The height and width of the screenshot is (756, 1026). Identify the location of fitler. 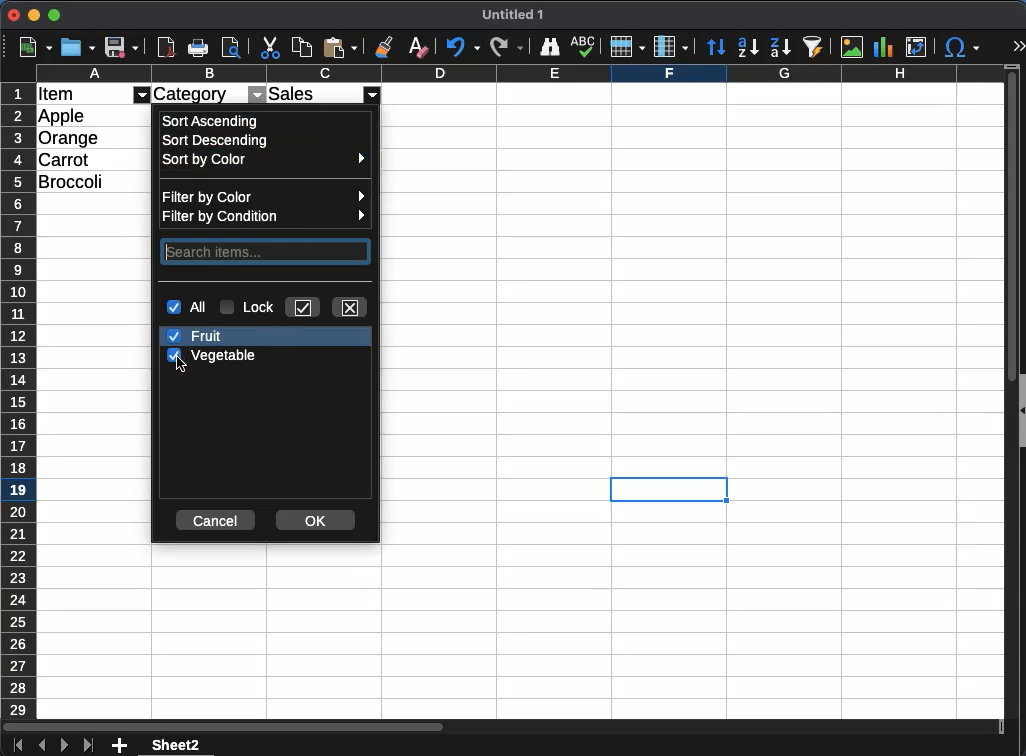
(374, 94).